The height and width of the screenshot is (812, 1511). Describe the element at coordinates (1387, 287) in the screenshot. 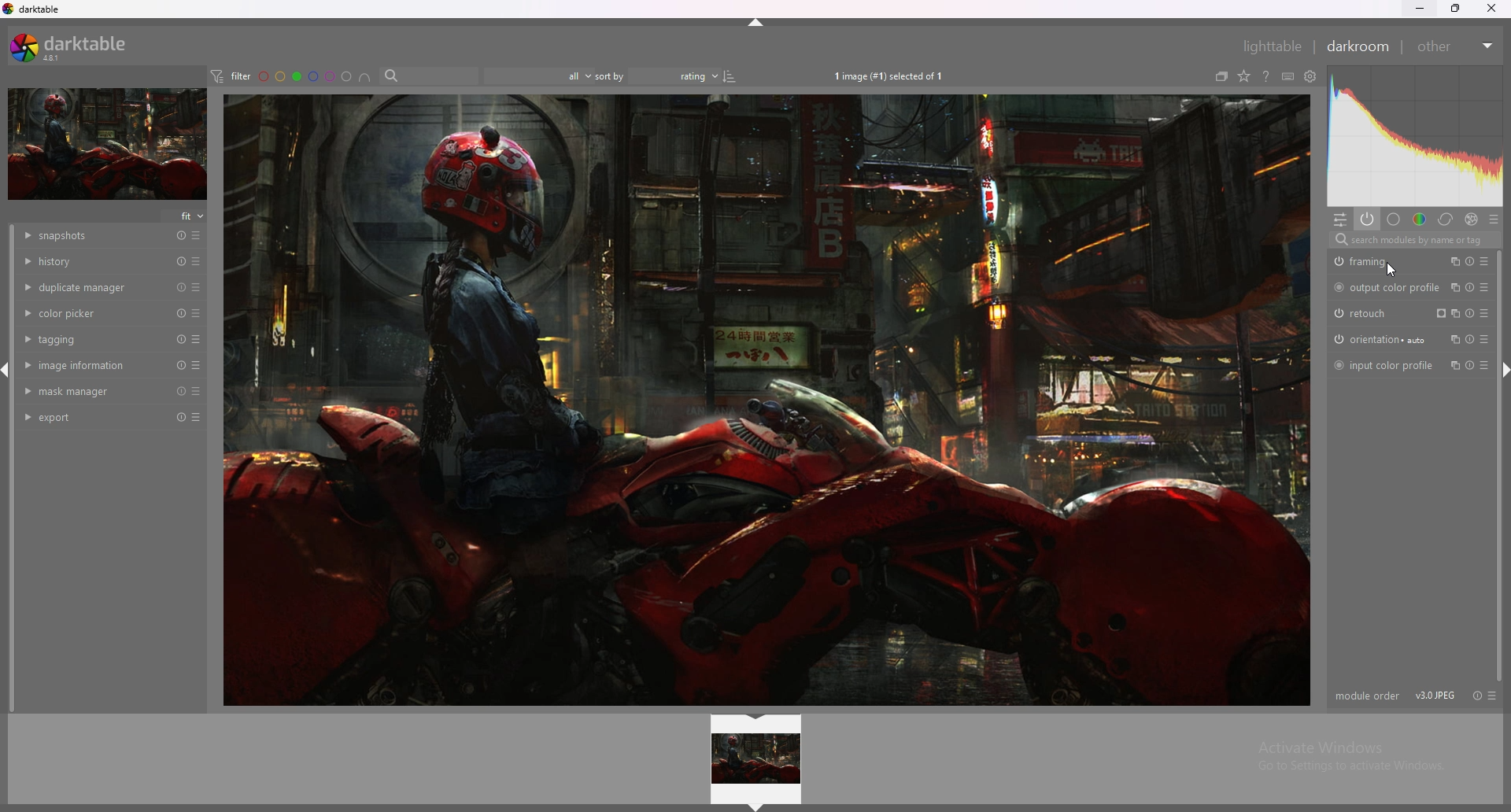

I see `output color profile` at that location.